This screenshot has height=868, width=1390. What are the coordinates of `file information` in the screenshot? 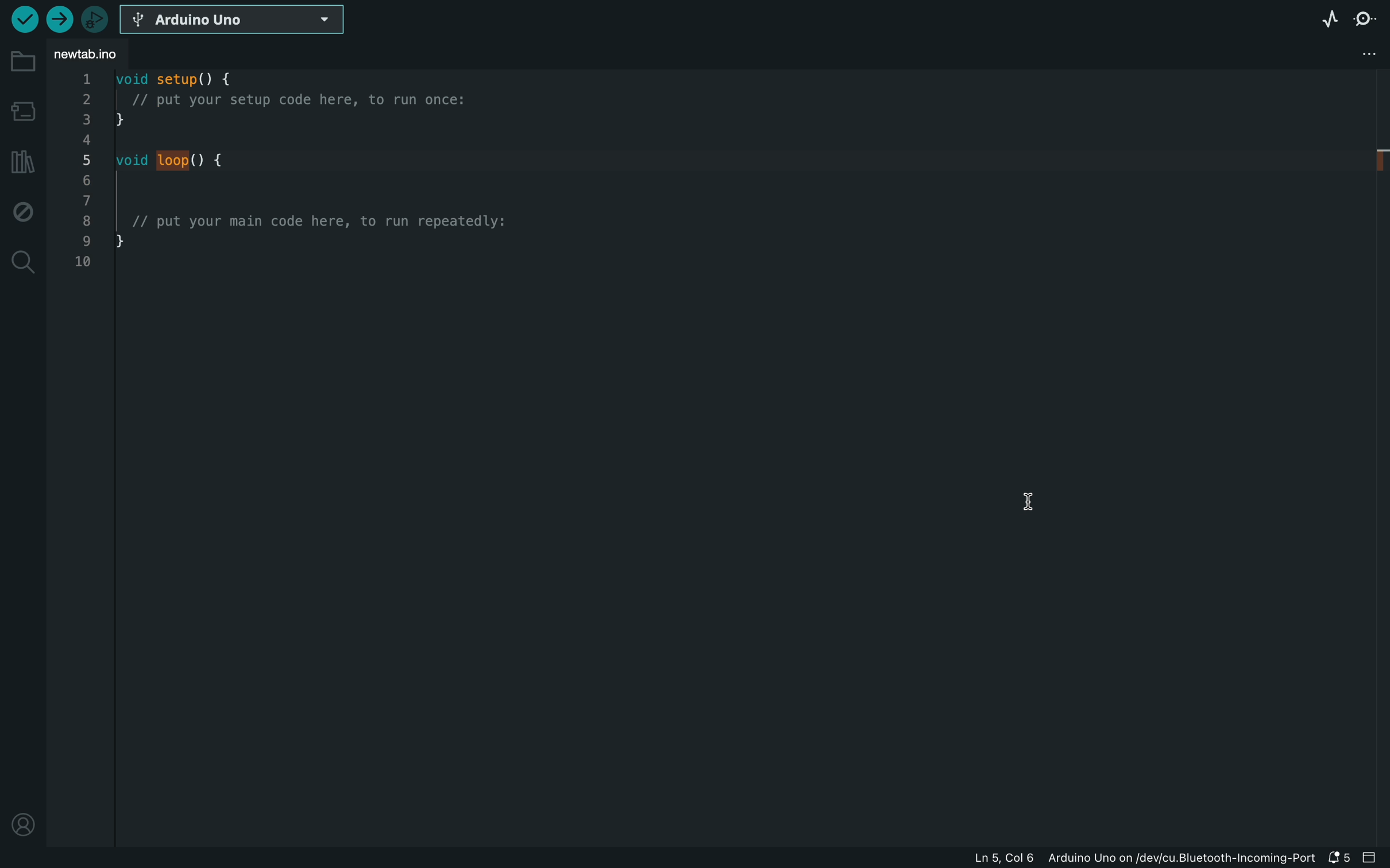 It's located at (1142, 859).